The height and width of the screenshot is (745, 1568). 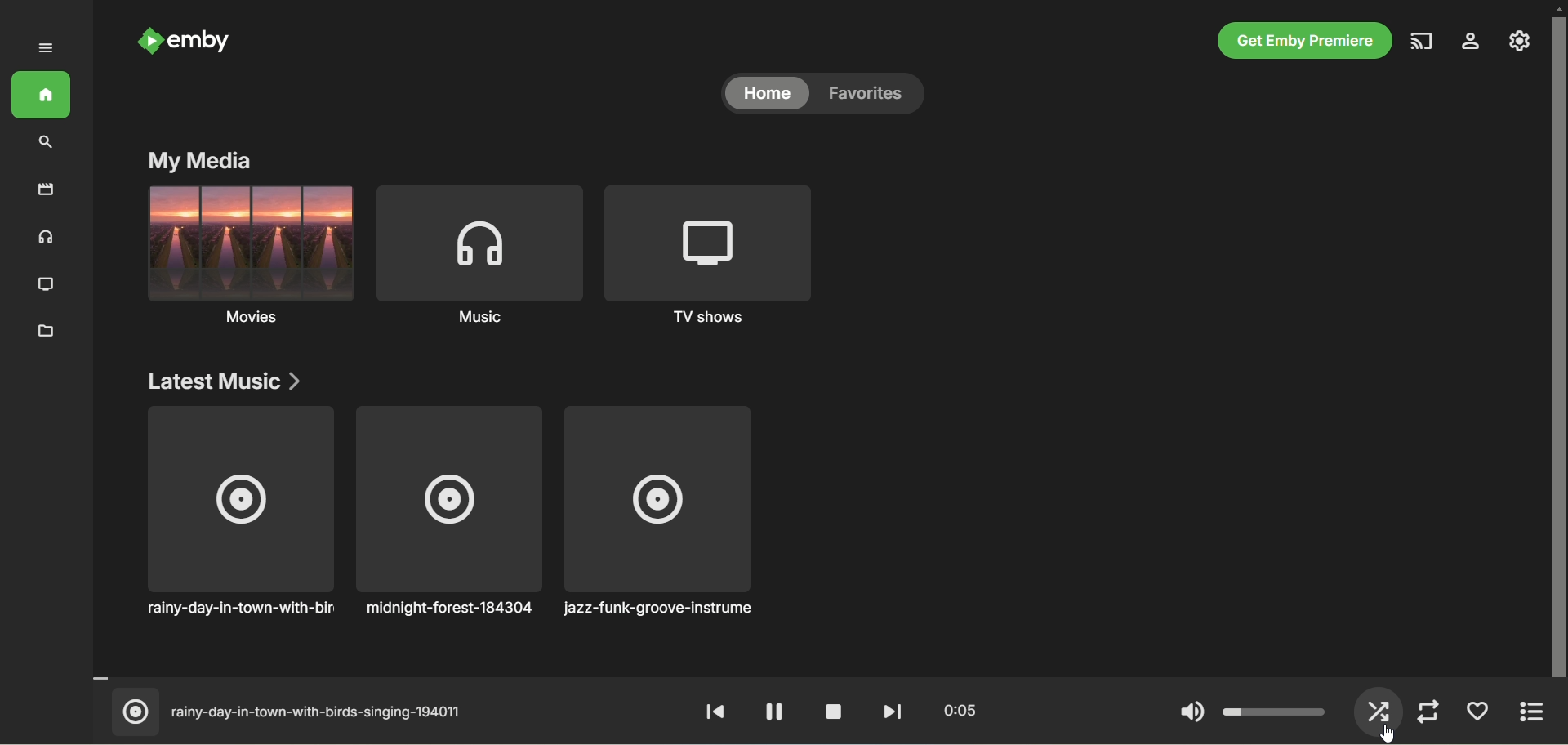 What do you see at coordinates (869, 96) in the screenshot?
I see `favorites` at bounding box center [869, 96].